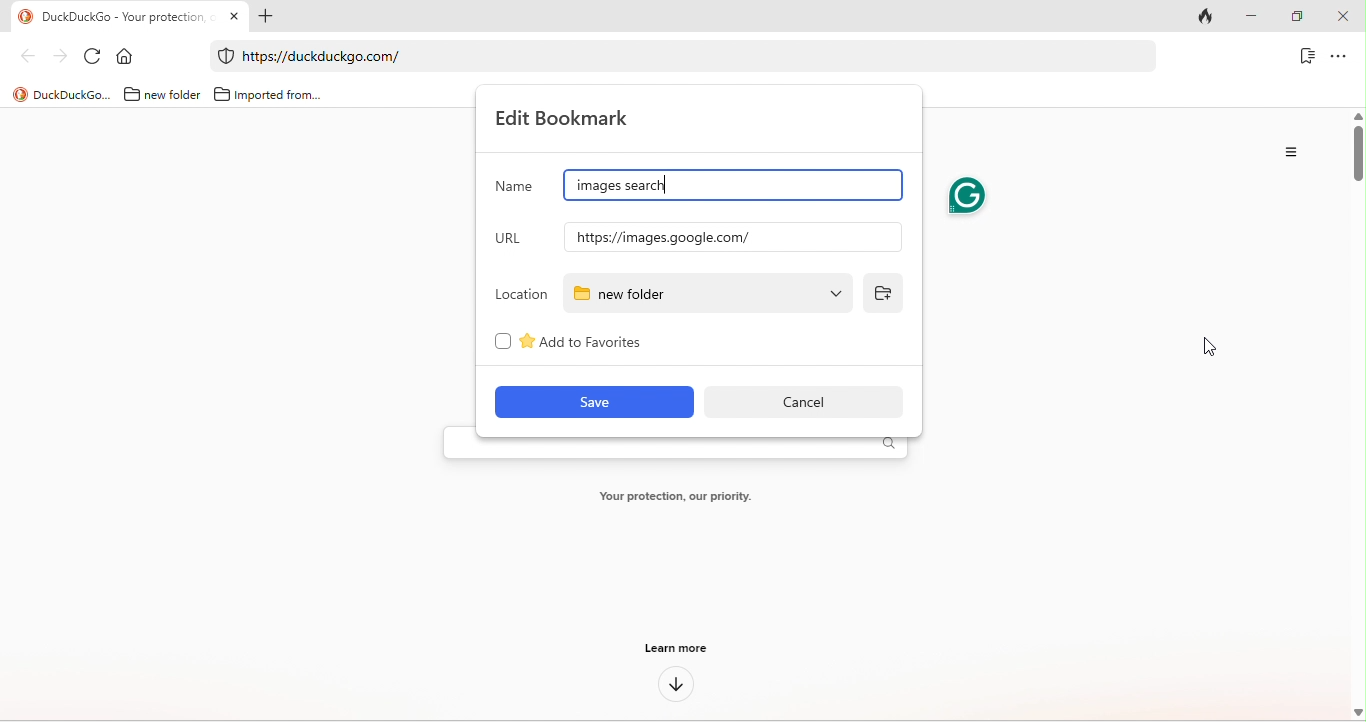  Describe the element at coordinates (592, 403) in the screenshot. I see `save` at that location.